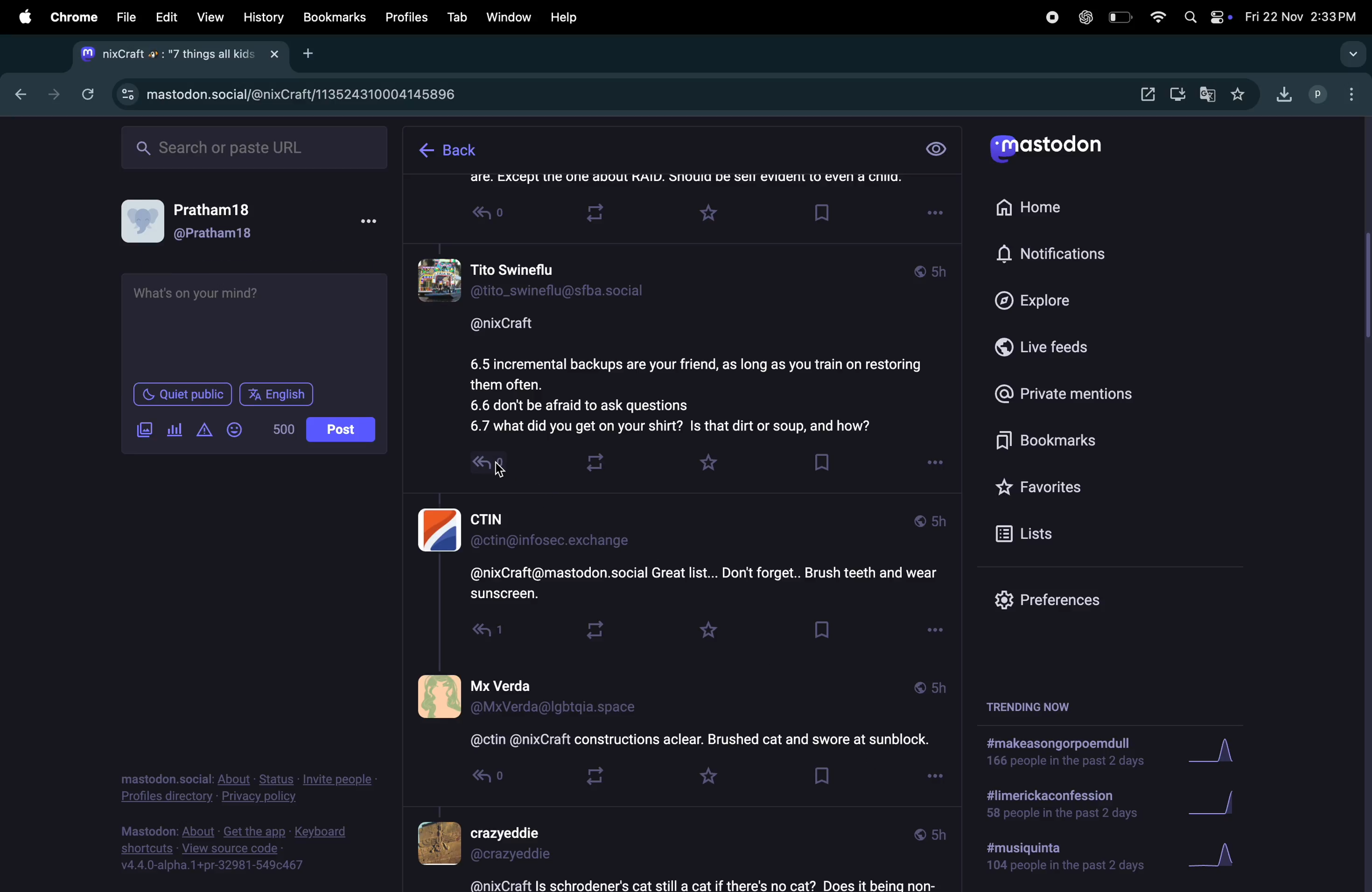 The image size is (1372, 892). What do you see at coordinates (1057, 149) in the screenshot?
I see `mastodon logo` at bounding box center [1057, 149].